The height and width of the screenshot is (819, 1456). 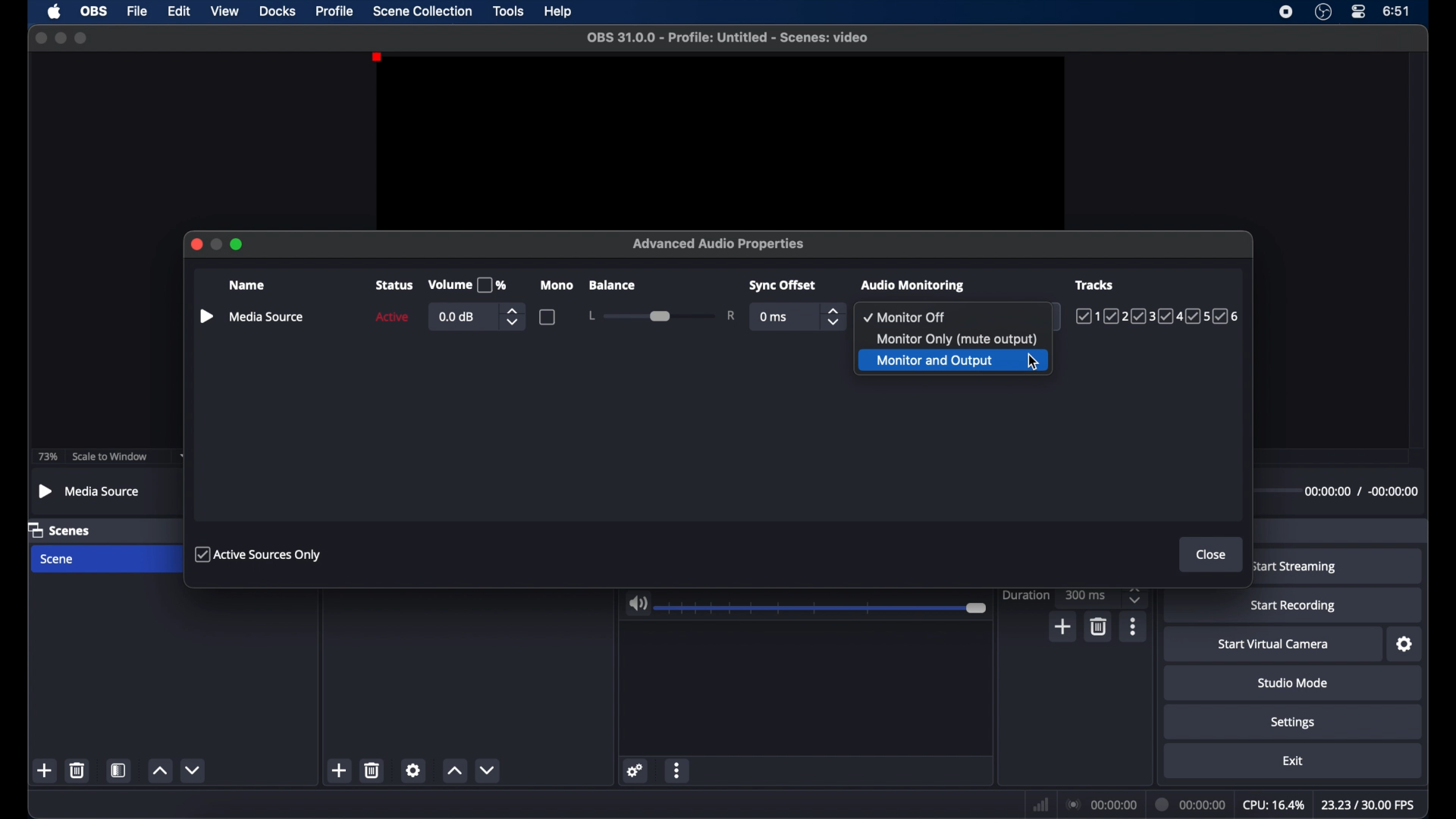 I want to click on settings, so click(x=414, y=770).